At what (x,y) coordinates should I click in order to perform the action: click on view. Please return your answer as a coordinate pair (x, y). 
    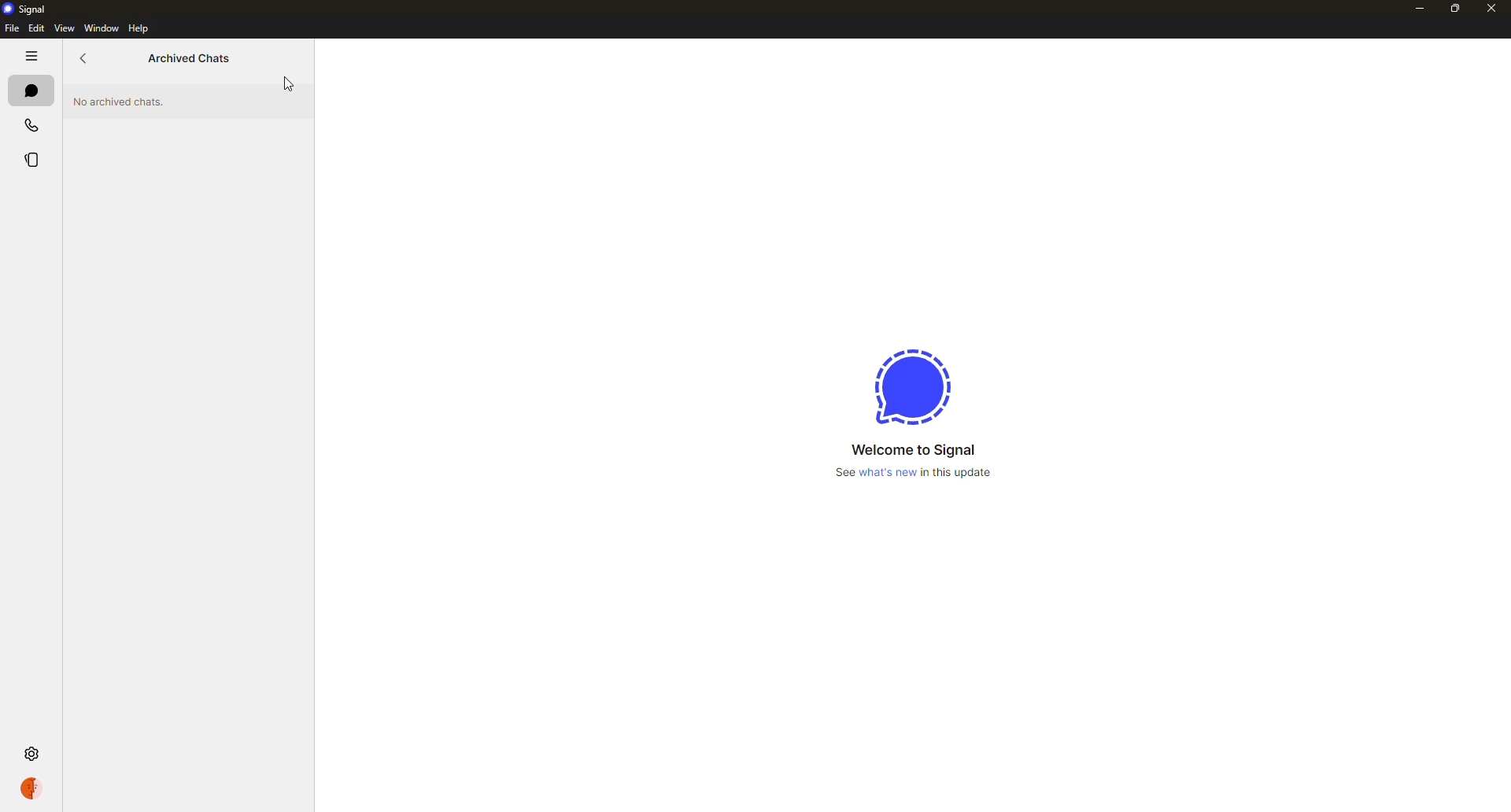
    Looking at the image, I should click on (66, 28).